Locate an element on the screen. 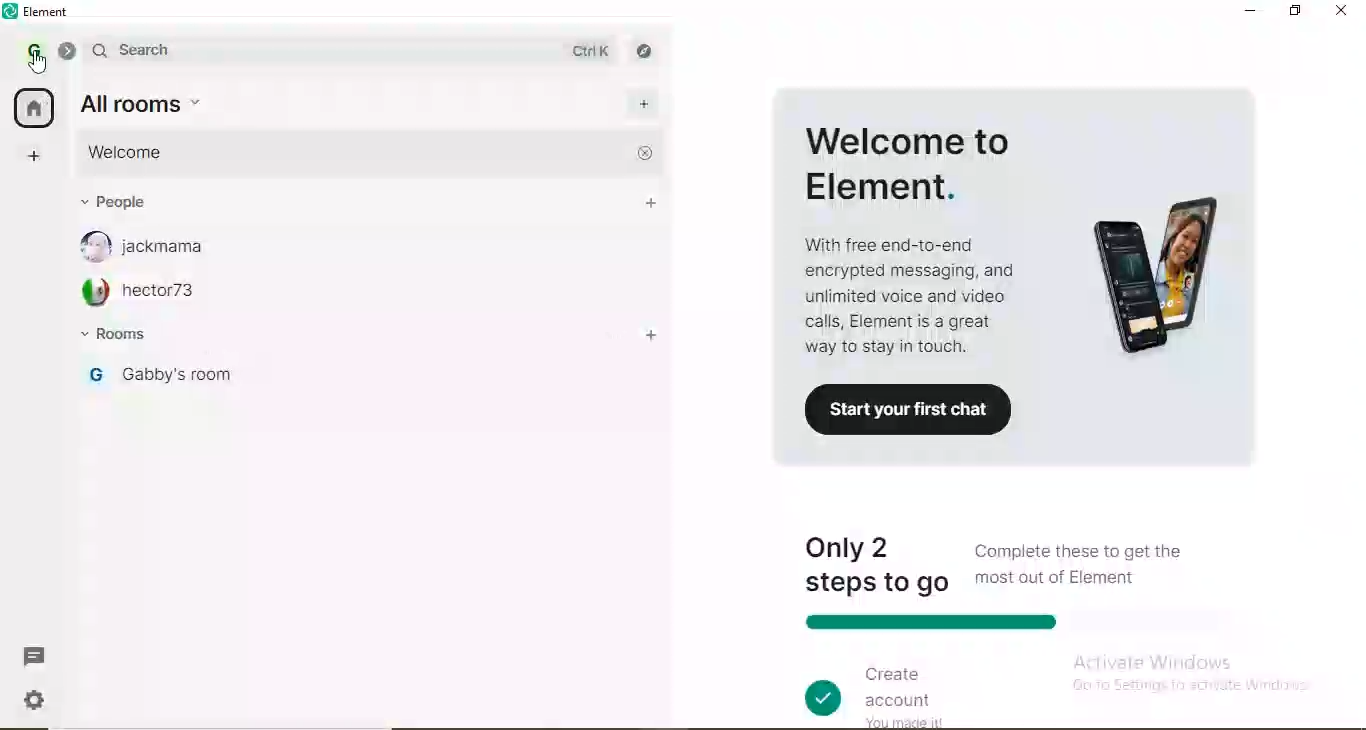 This screenshot has height=730, width=1366. element is located at coordinates (53, 11).